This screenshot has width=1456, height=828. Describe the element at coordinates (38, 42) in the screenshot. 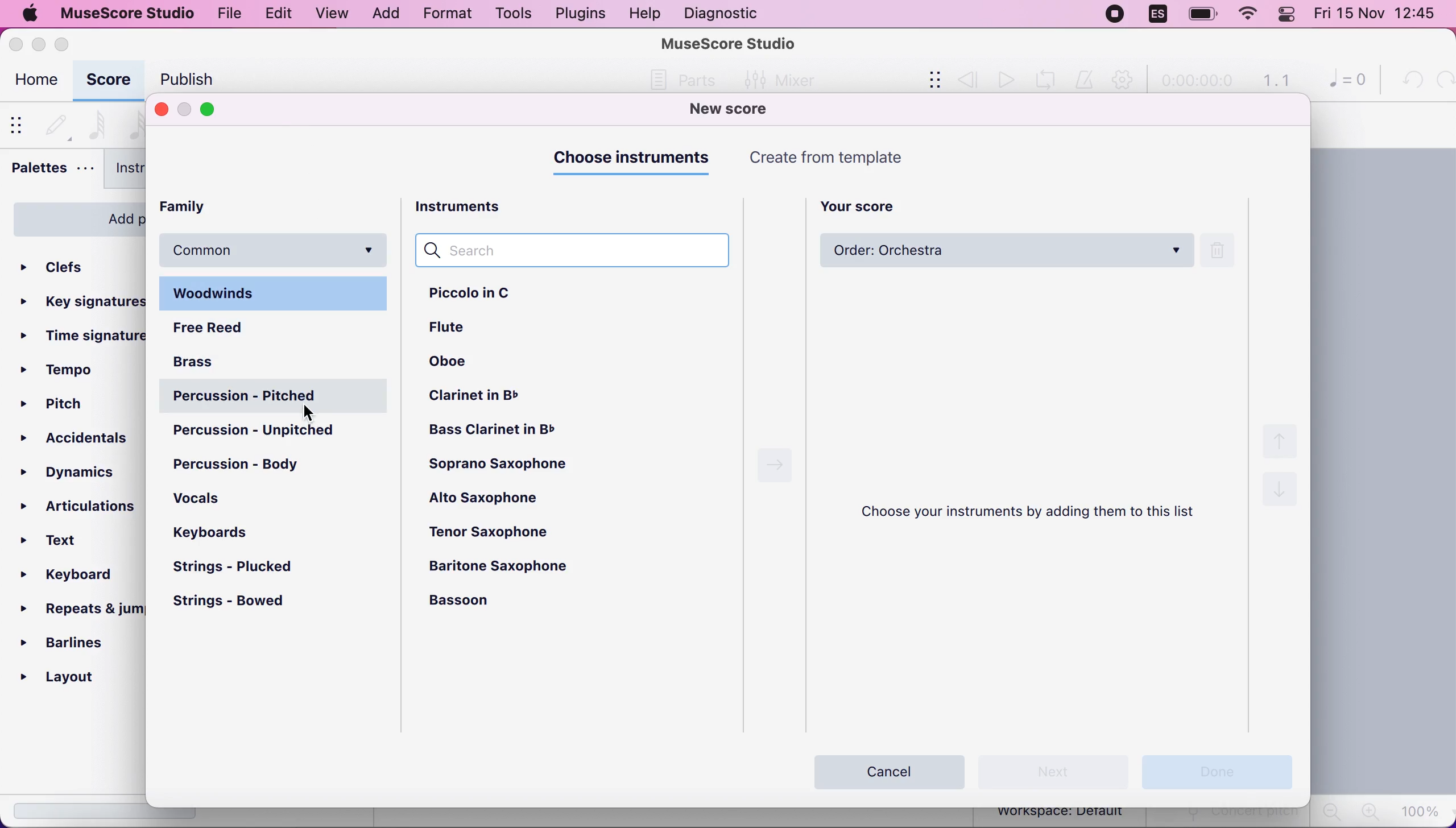

I see `minimize` at that location.